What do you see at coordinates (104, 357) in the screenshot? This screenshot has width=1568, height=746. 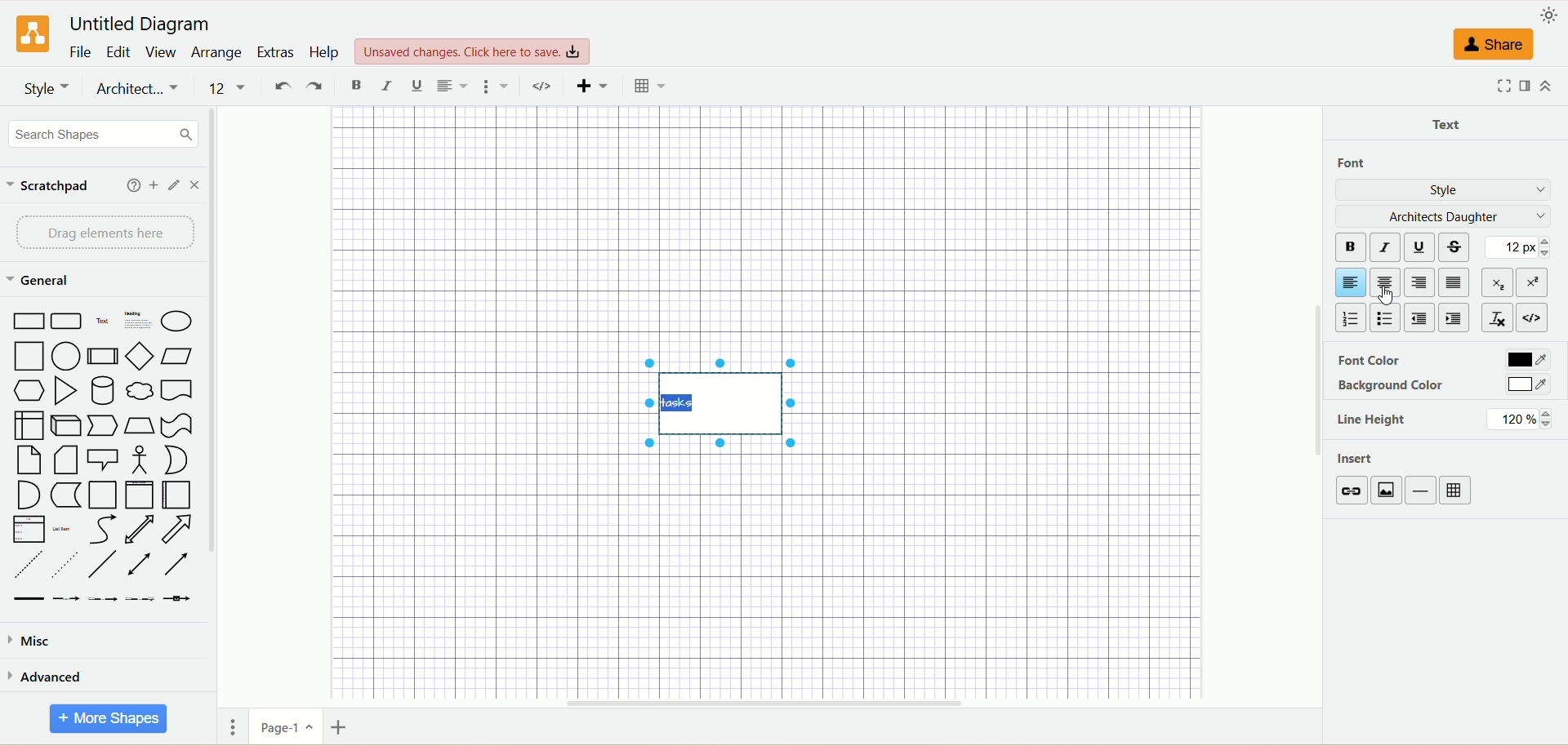 I see `Divided Bar` at bounding box center [104, 357].